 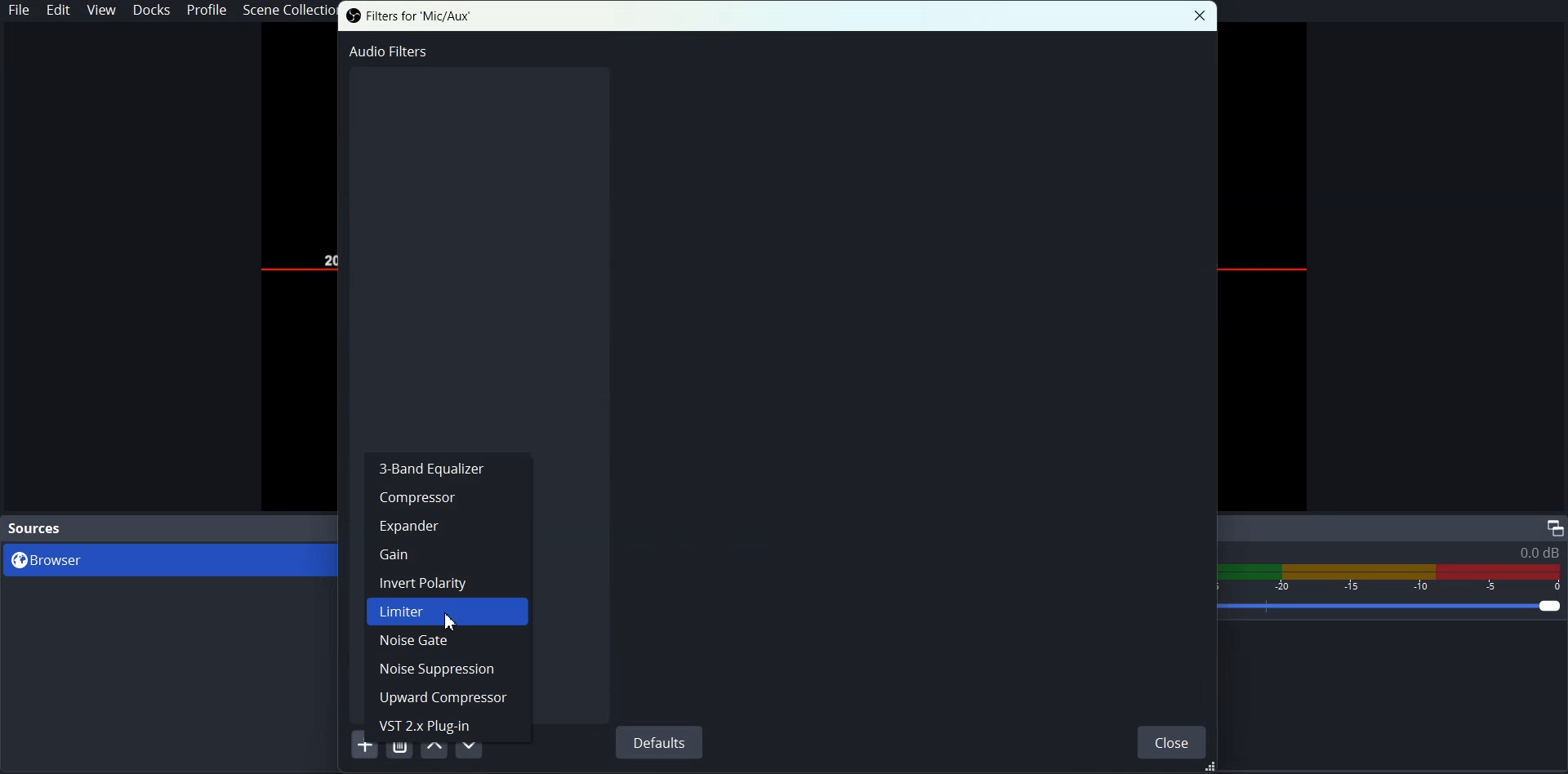 What do you see at coordinates (287, 11) in the screenshot?
I see `Scene Collection` at bounding box center [287, 11].